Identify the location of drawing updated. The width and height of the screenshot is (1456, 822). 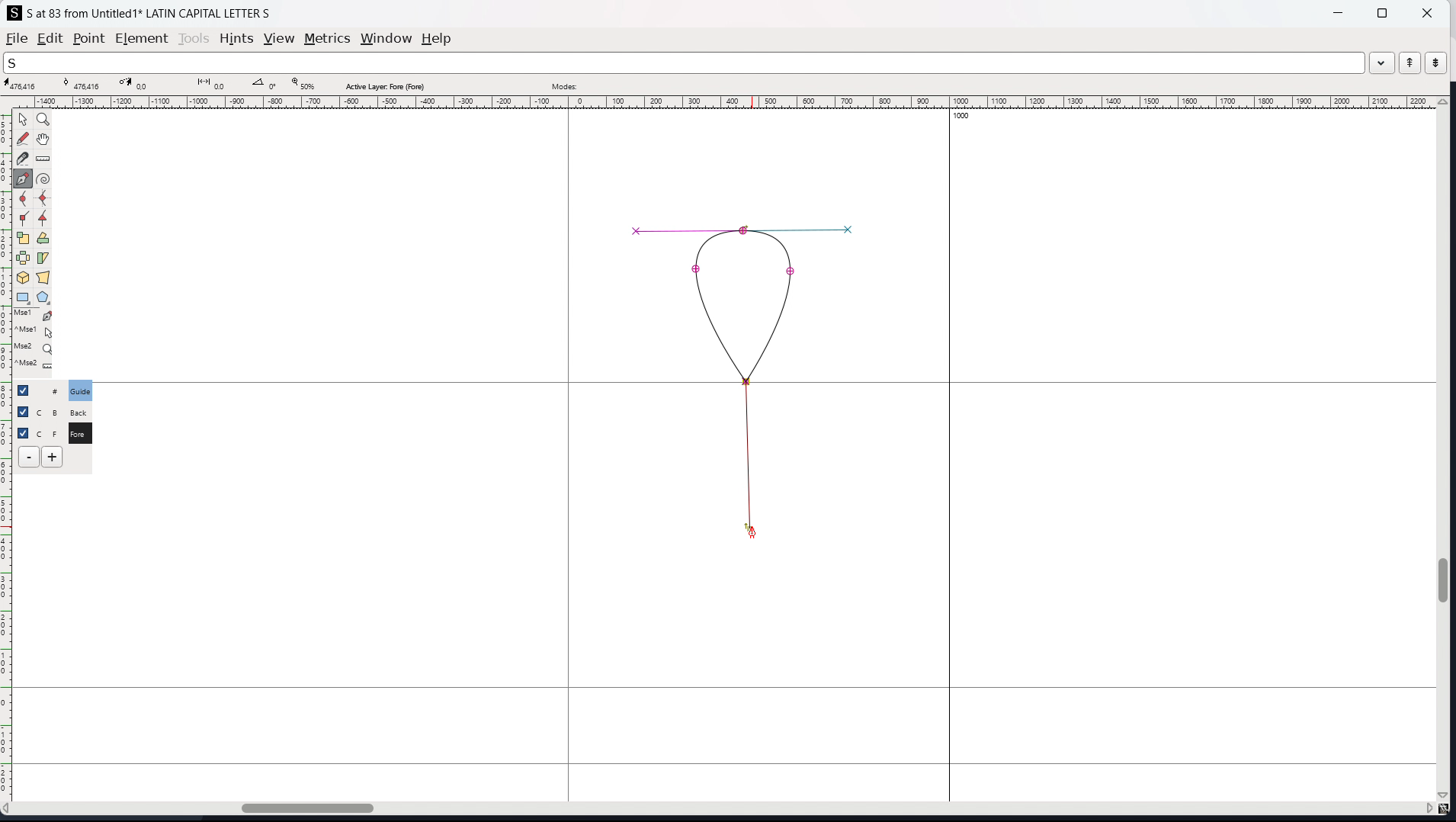
(741, 379).